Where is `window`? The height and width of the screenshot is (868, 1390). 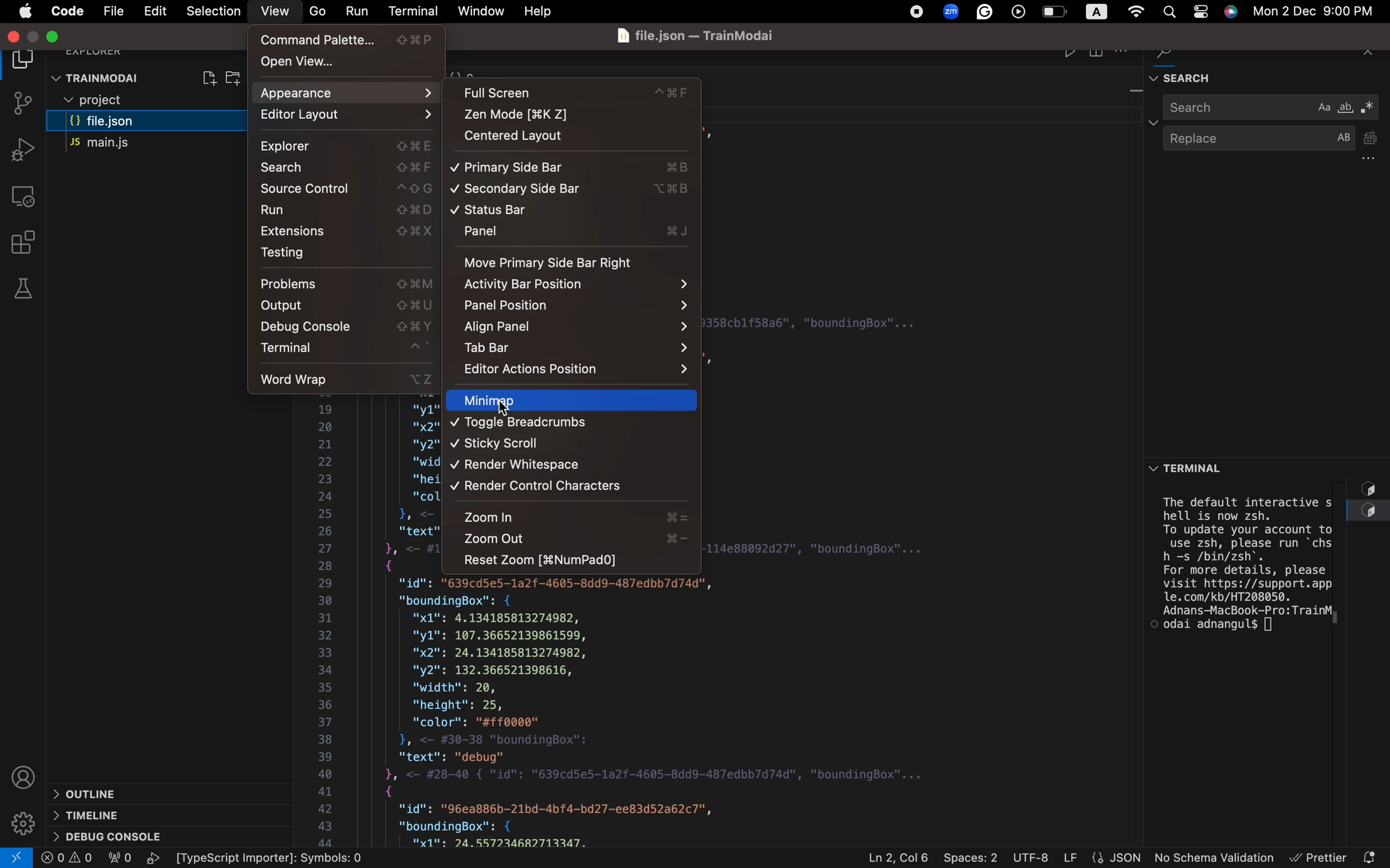
window is located at coordinates (480, 9).